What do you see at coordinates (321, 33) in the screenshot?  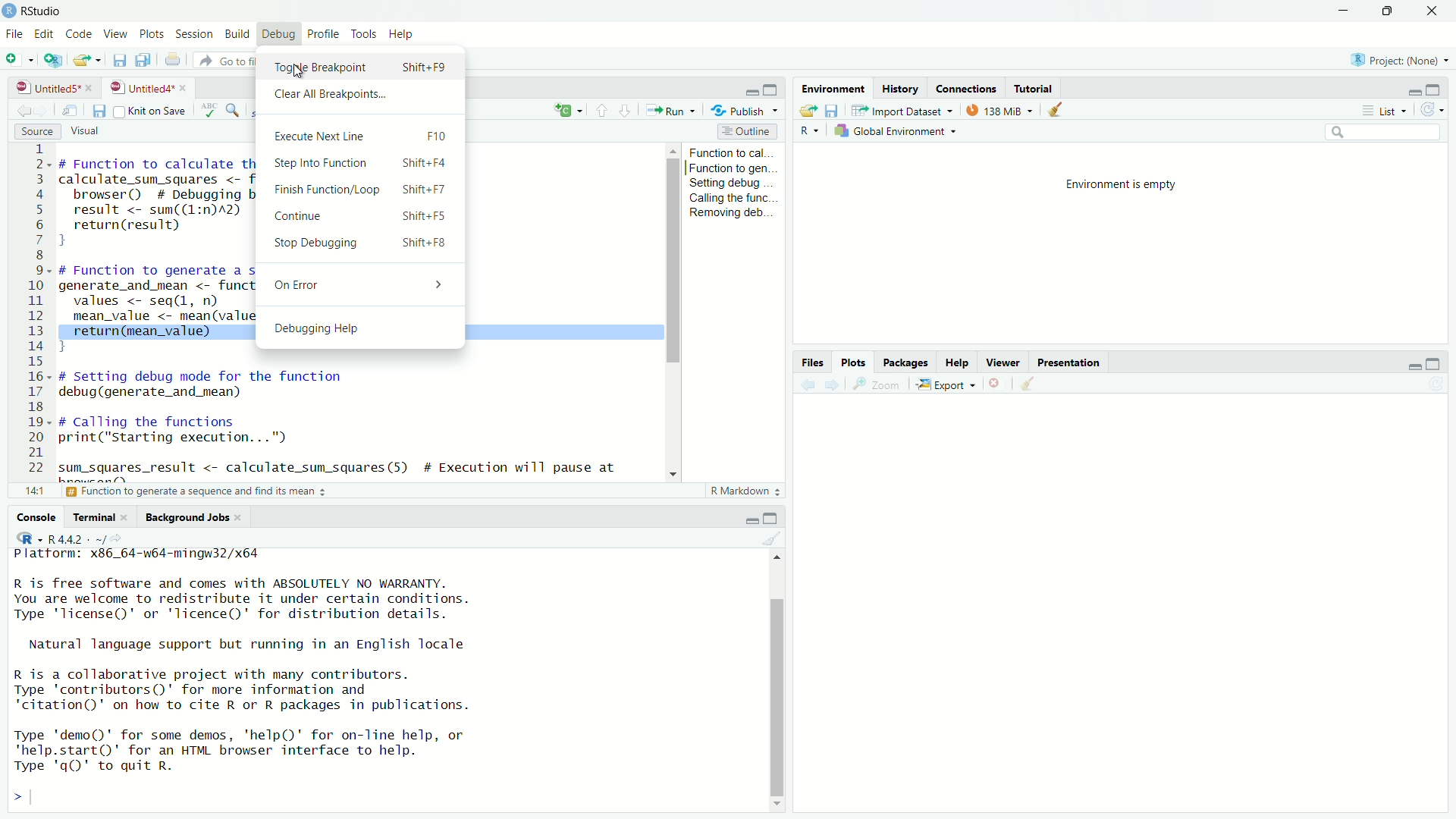 I see `profile` at bounding box center [321, 33].